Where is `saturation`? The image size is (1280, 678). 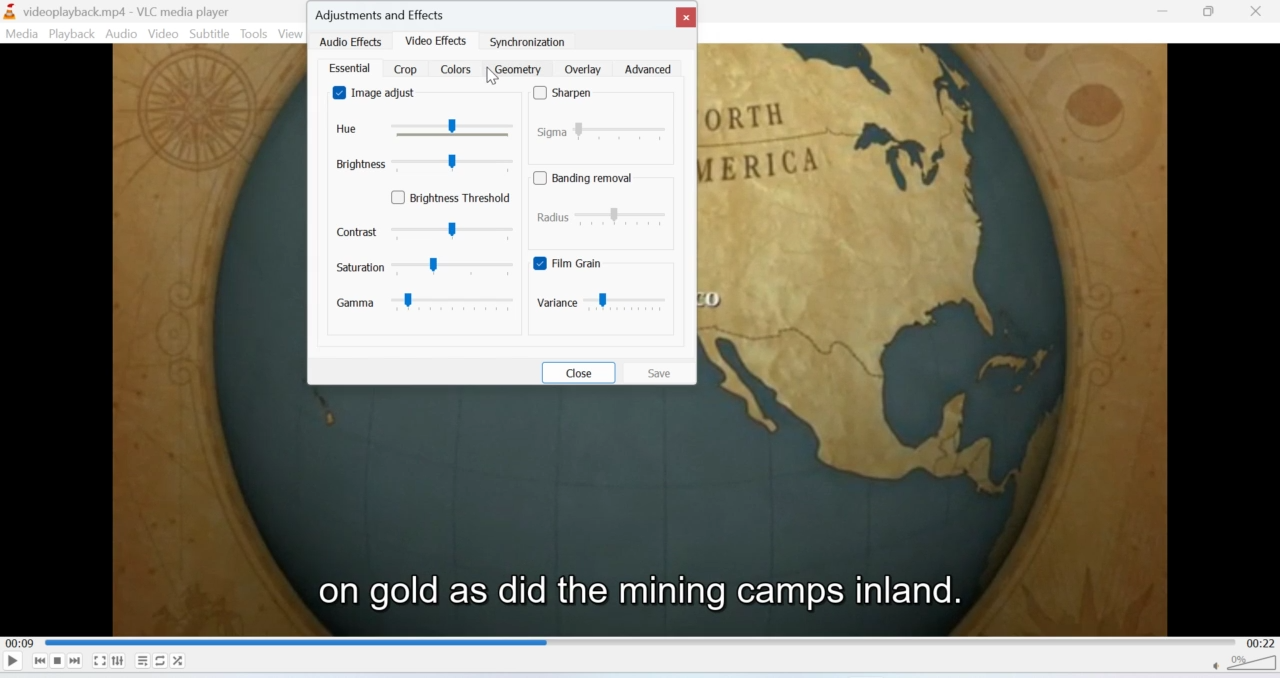 saturation is located at coordinates (425, 265).